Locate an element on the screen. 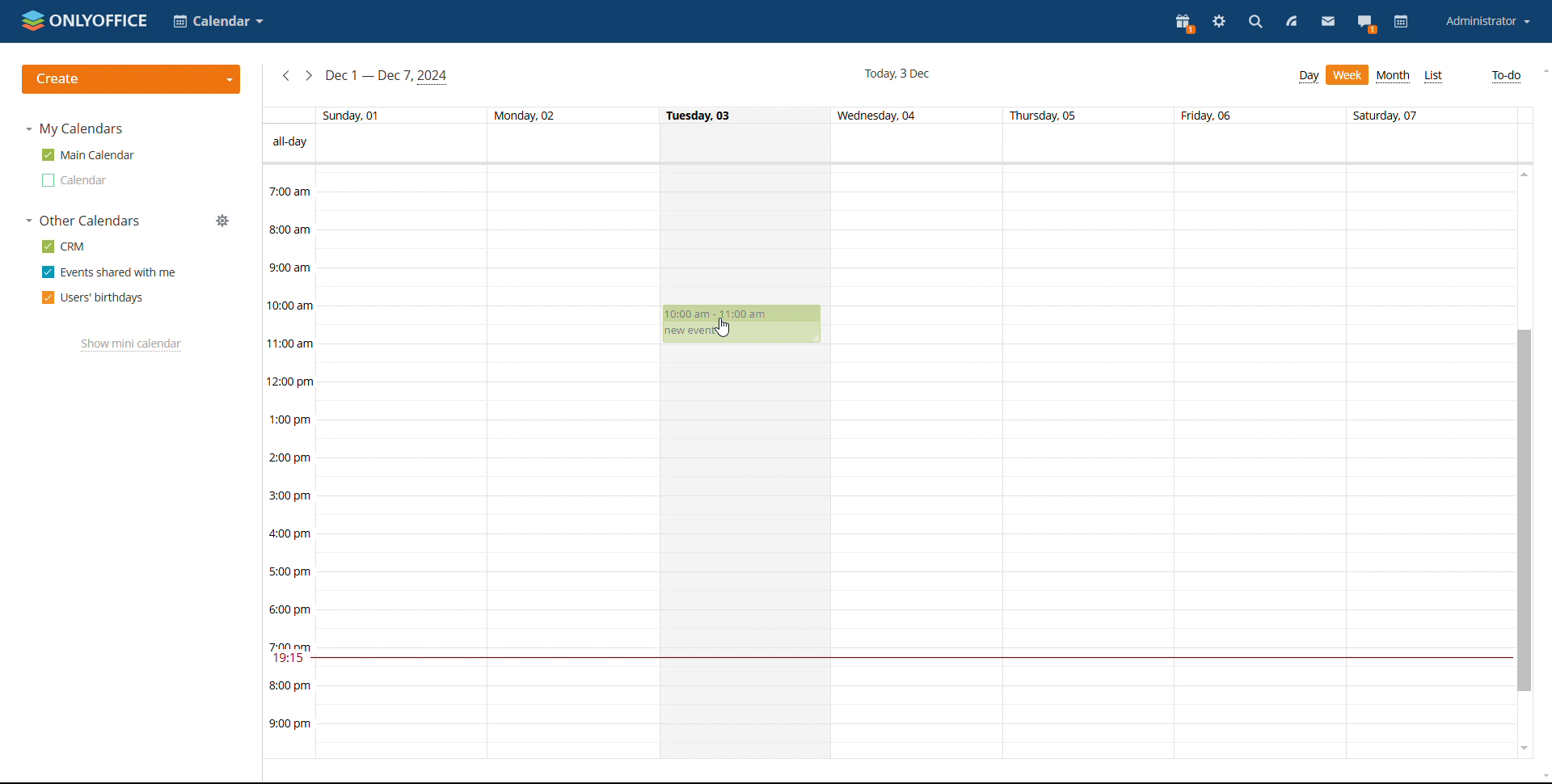  manage is located at coordinates (223, 221).